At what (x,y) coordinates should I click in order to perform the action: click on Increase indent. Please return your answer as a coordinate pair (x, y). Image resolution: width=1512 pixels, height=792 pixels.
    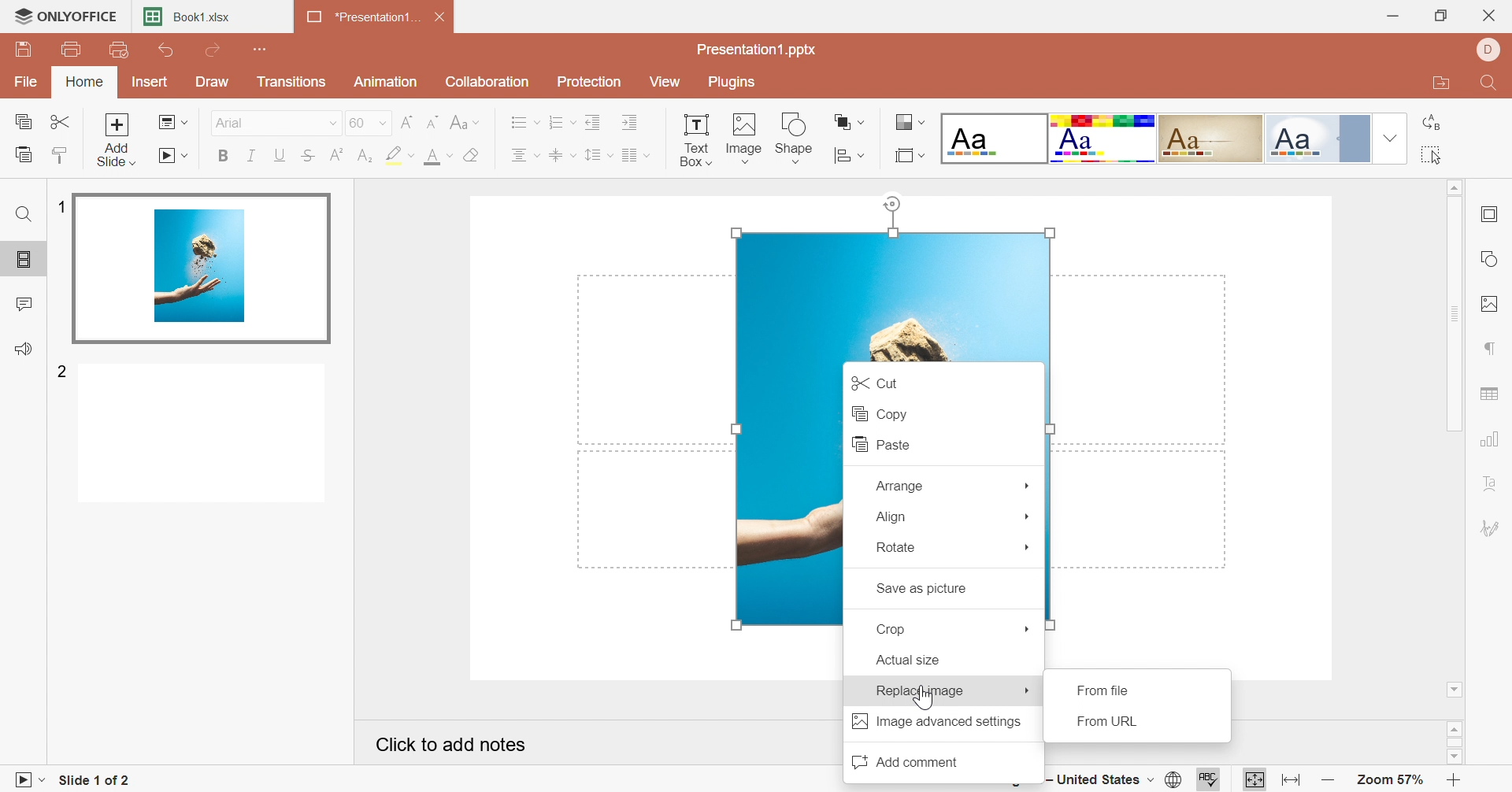
    Looking at the image, I should click on (632, 120).